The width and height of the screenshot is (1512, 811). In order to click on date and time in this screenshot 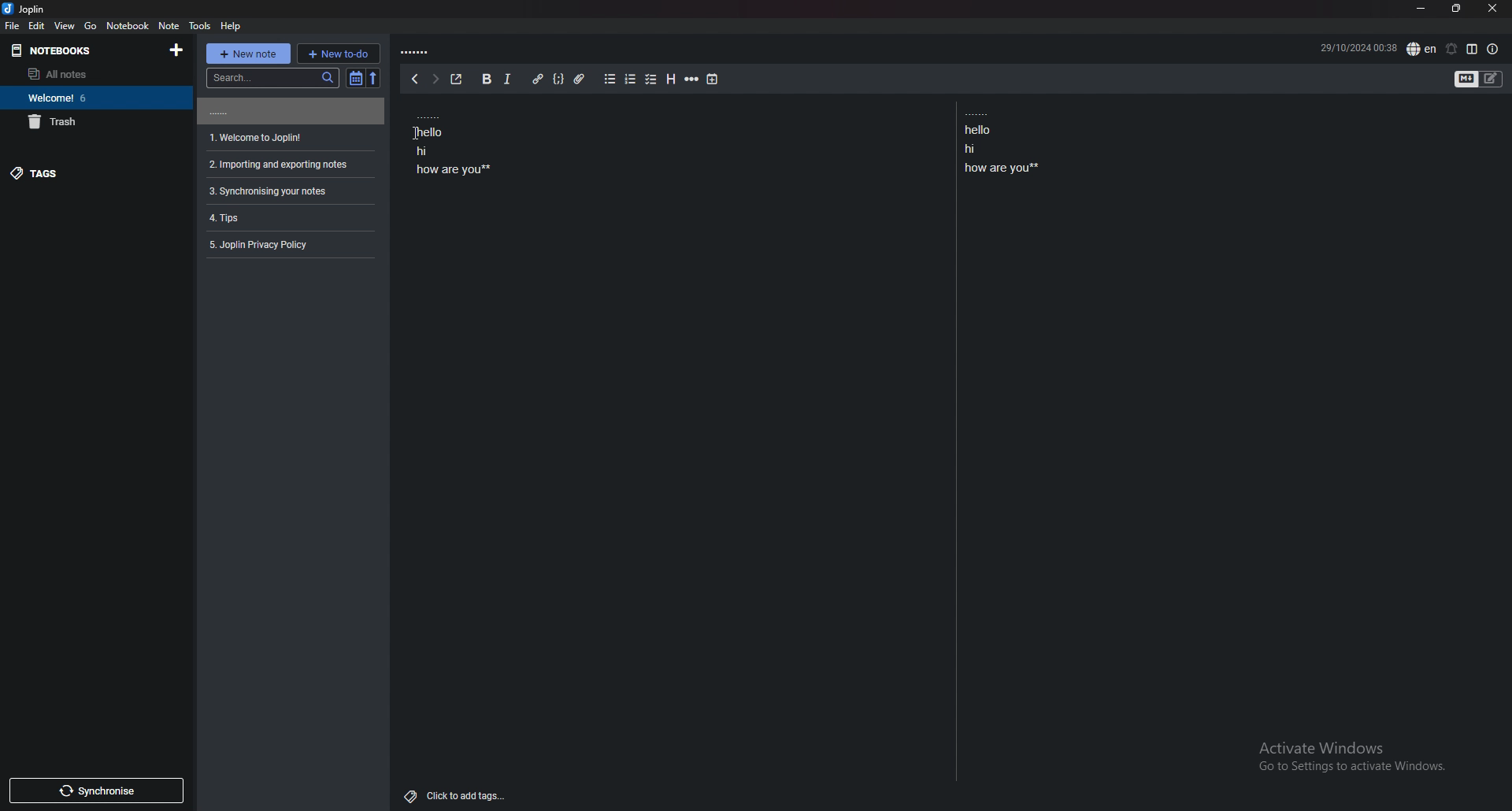, I will do `click(1358, 46)`.